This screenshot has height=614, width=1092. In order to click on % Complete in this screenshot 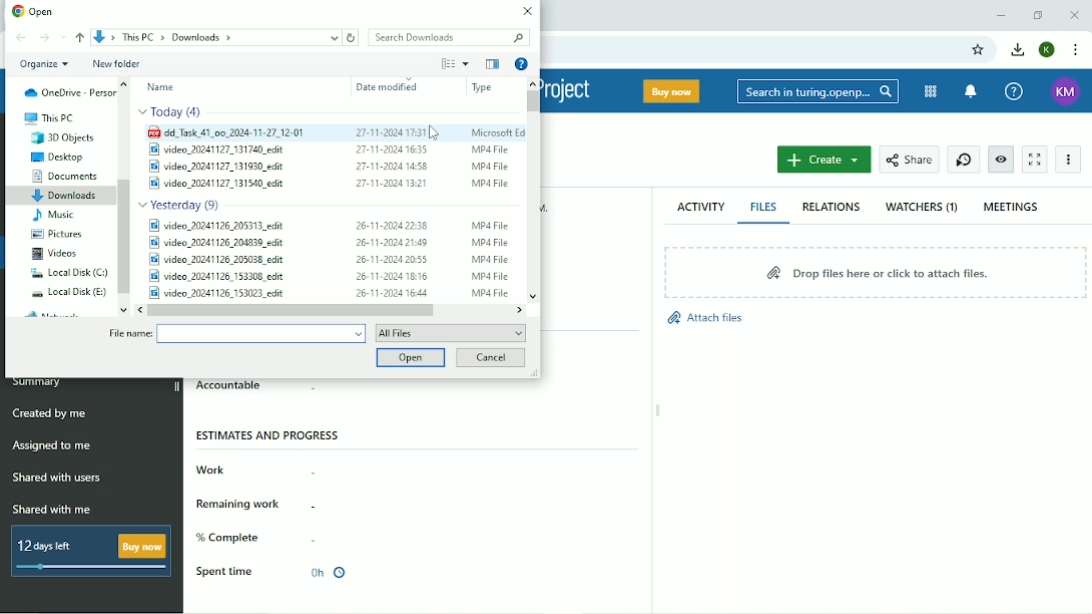, I will do `click(232, 538)`.